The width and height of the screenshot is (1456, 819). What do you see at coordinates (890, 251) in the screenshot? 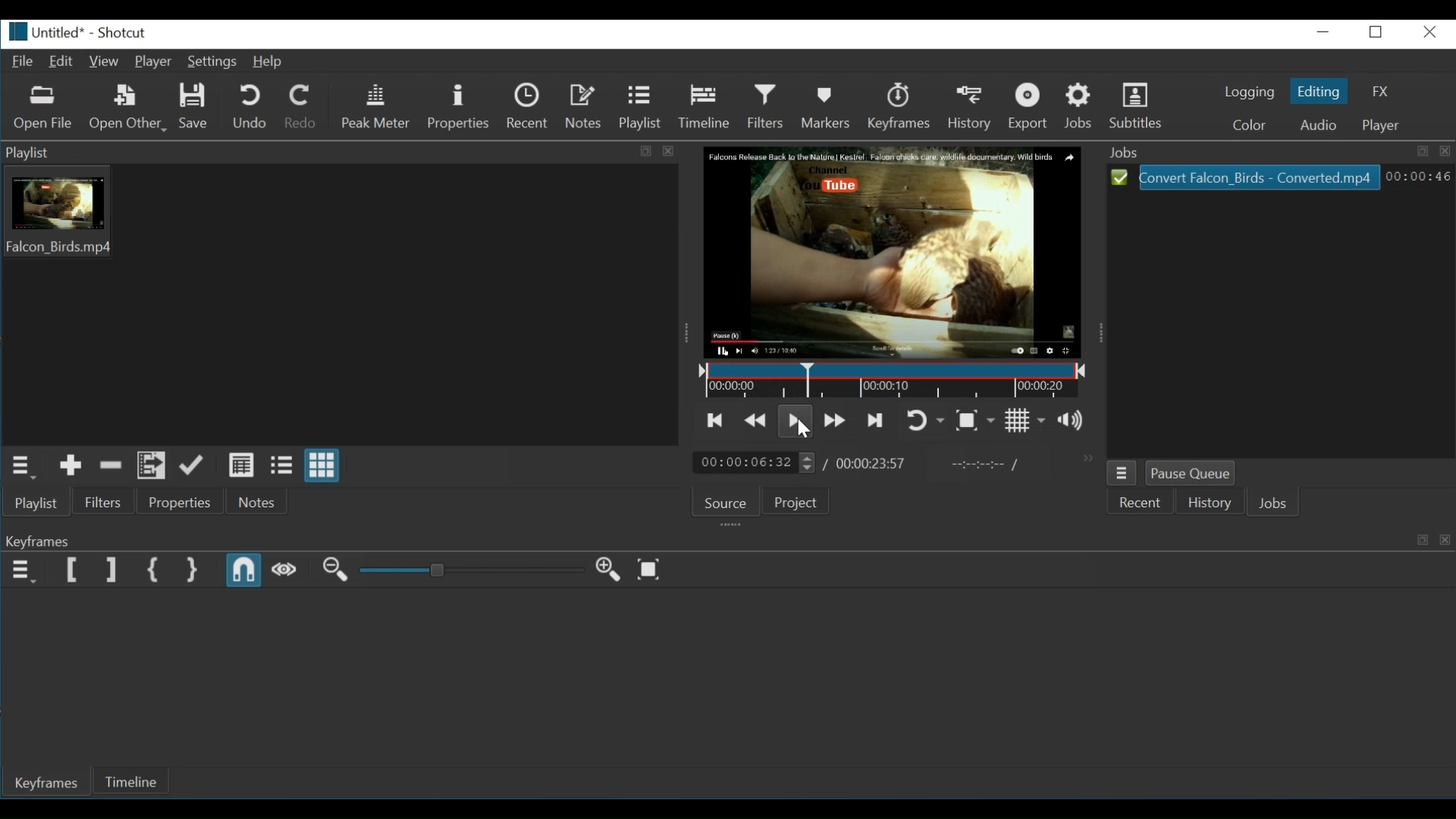
I see `Media Viewer` at bounding box center [890, 251].